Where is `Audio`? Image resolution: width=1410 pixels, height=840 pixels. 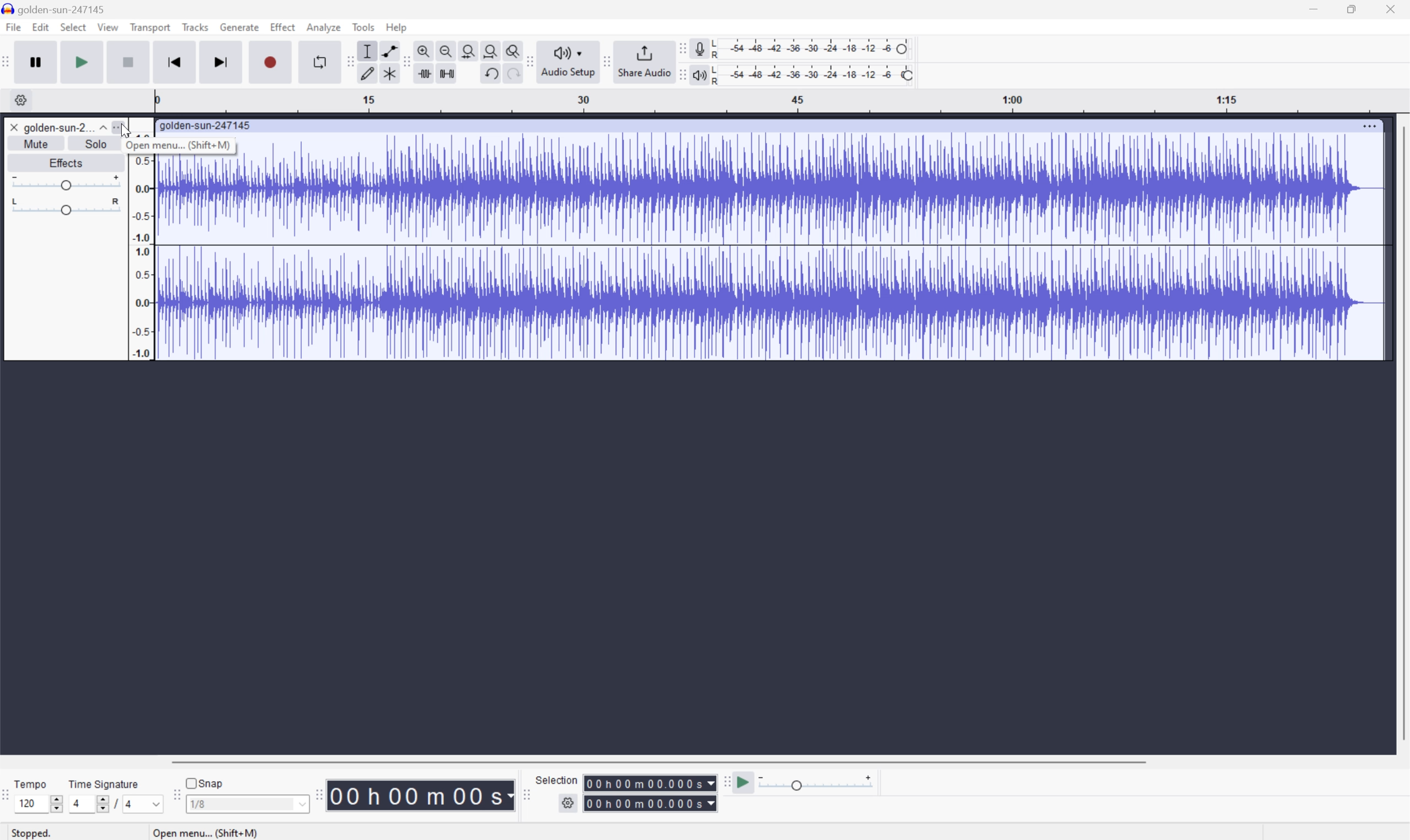
Audio is located at coordinates (772, 247).